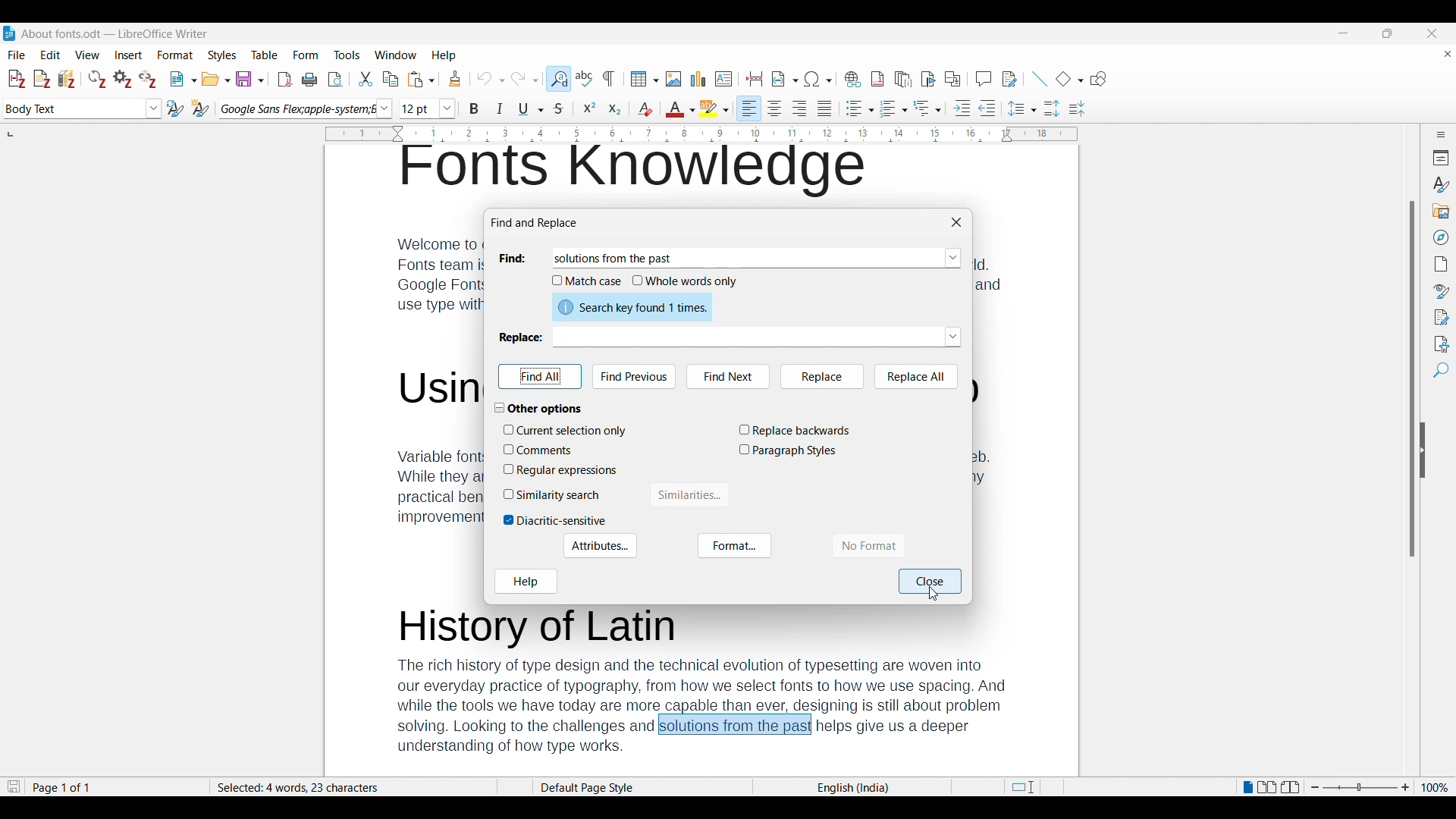 This screenshot has height=819, width=1456. What do you see at coordinates (148, 79) in the screenshot?
I see `Unlink citations` at bounding box center [148, 79].